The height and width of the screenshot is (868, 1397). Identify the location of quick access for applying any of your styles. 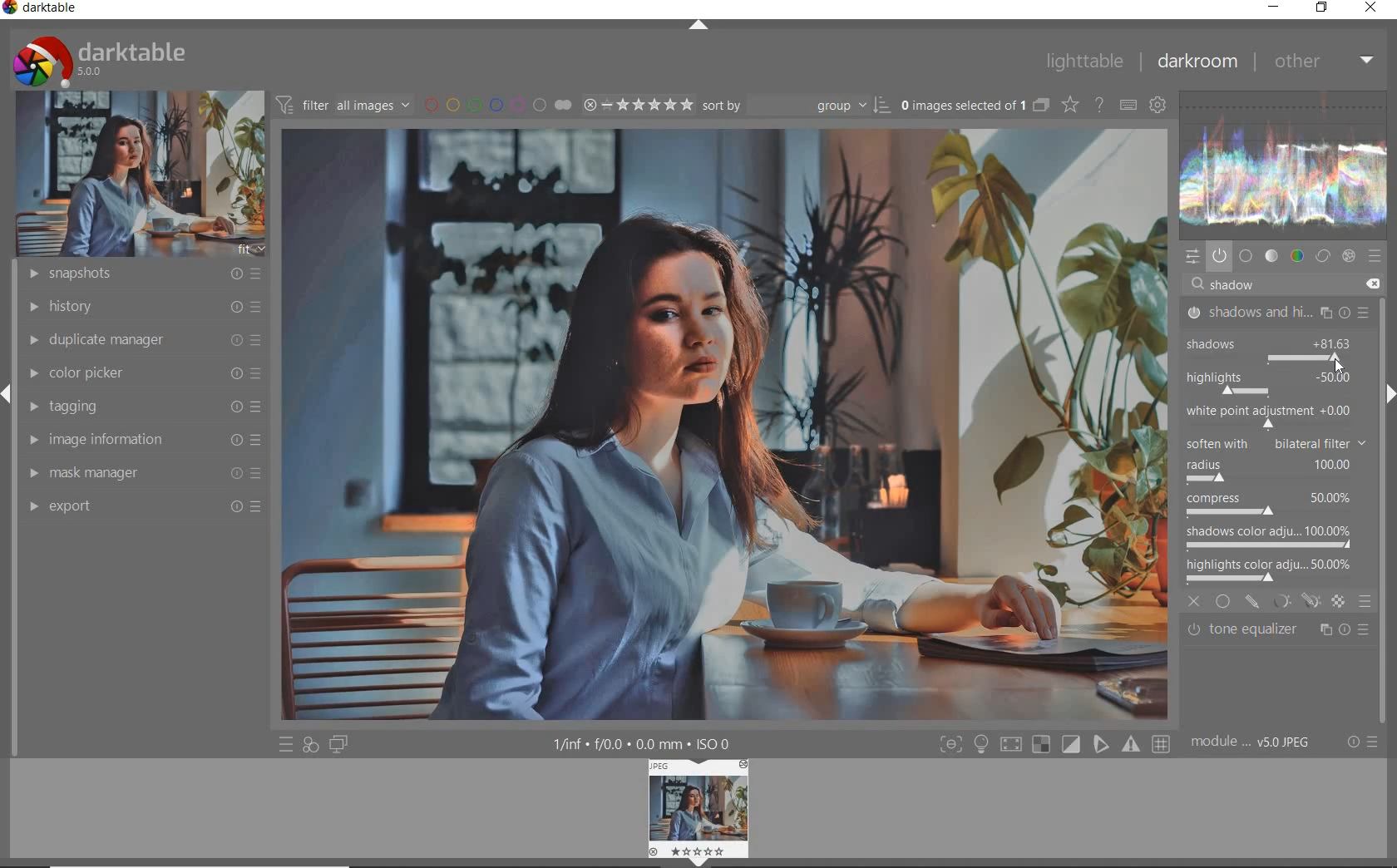
(312, 746).